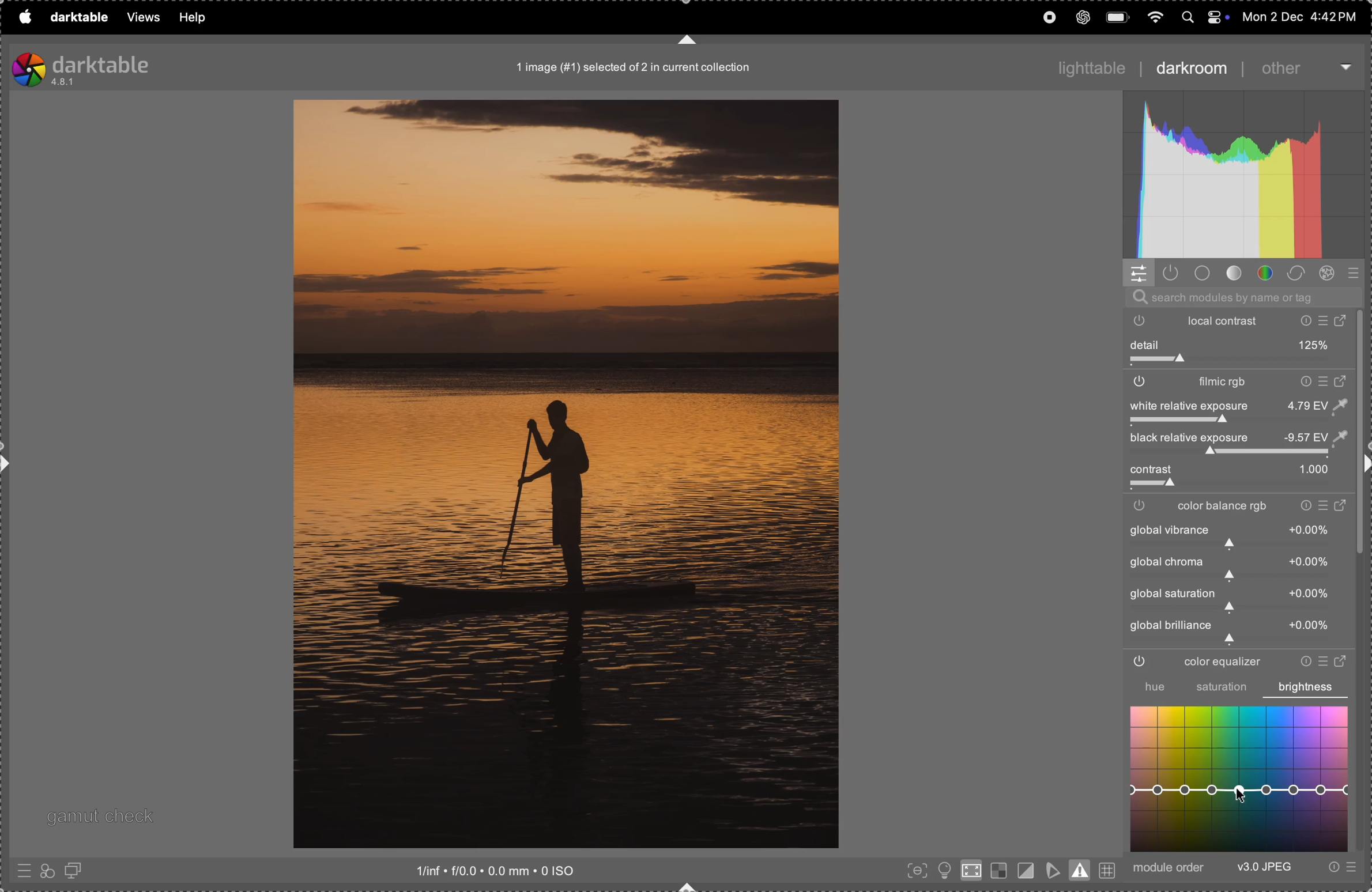 Image resolution: width=1372 pixels, height=892 pixels. What do you see at coordinates (1240, 345) in the screenshot?
I see `detail` at bounding box center [1240, 345].